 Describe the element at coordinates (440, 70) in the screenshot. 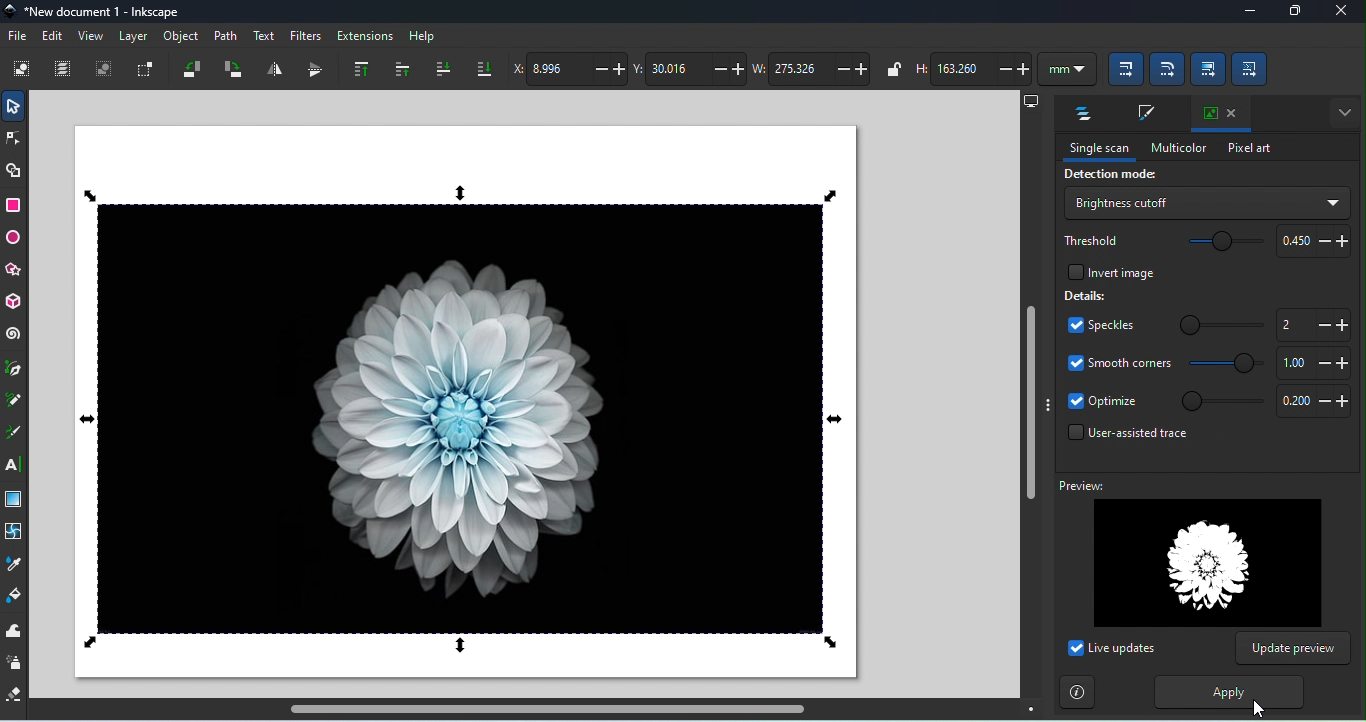

I see `lower selection one step` at that location.